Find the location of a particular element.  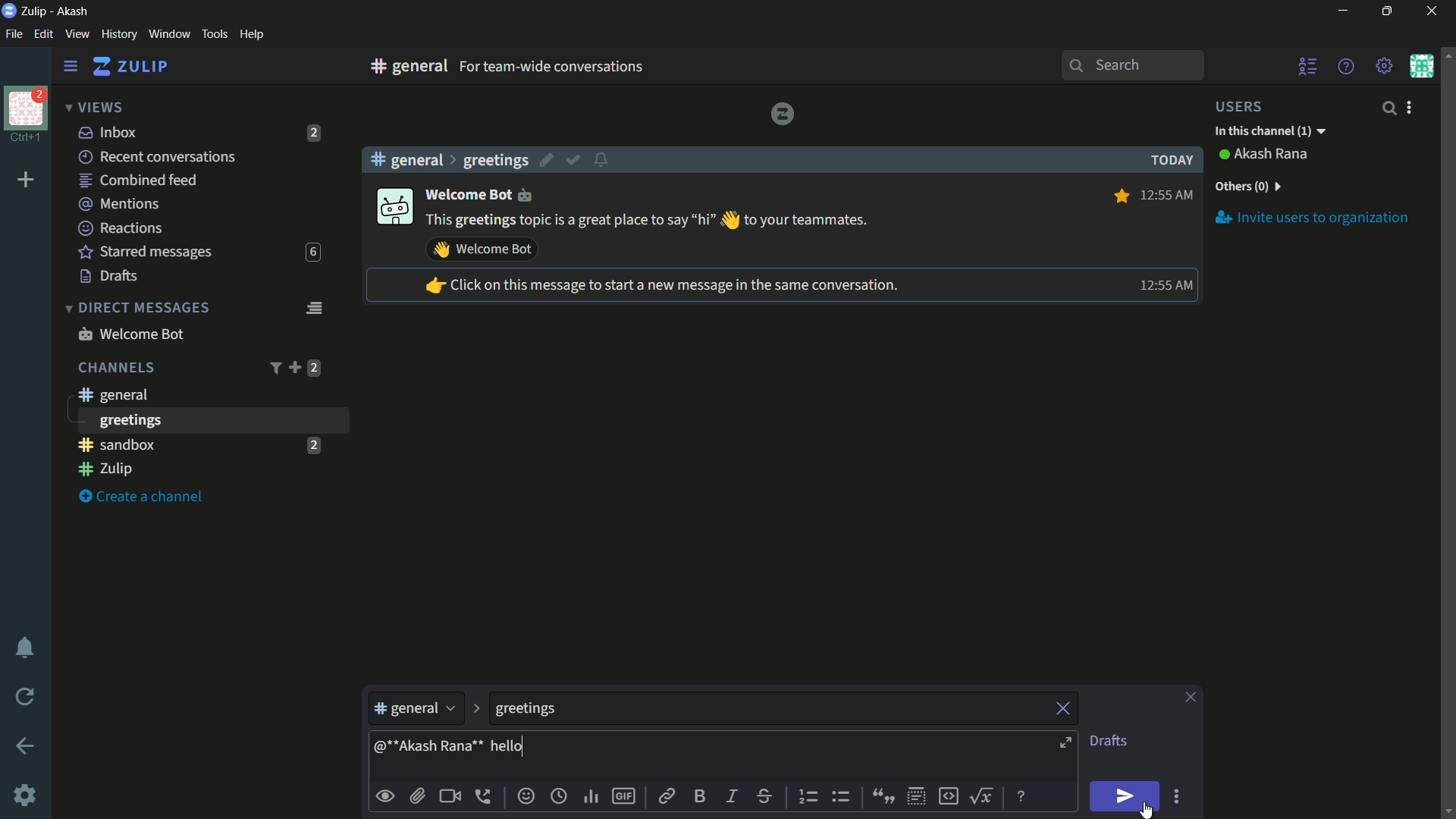

help menu is located at coordinates (251, 35).